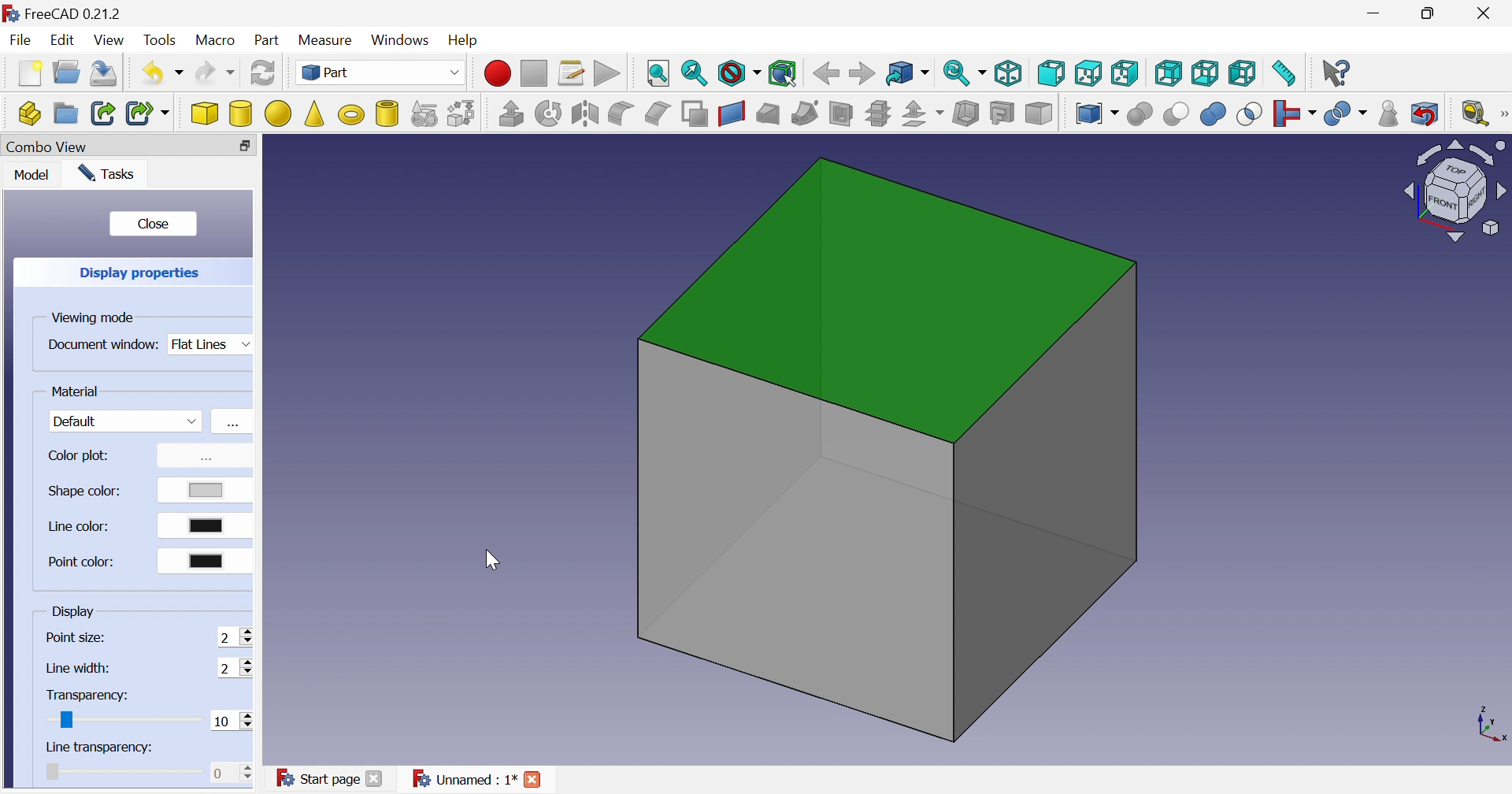 The image size is (1512, 794). What do you see at coordinates (246, 146) in the screenshot?
I see `Close` at bounding box center [246, 146].